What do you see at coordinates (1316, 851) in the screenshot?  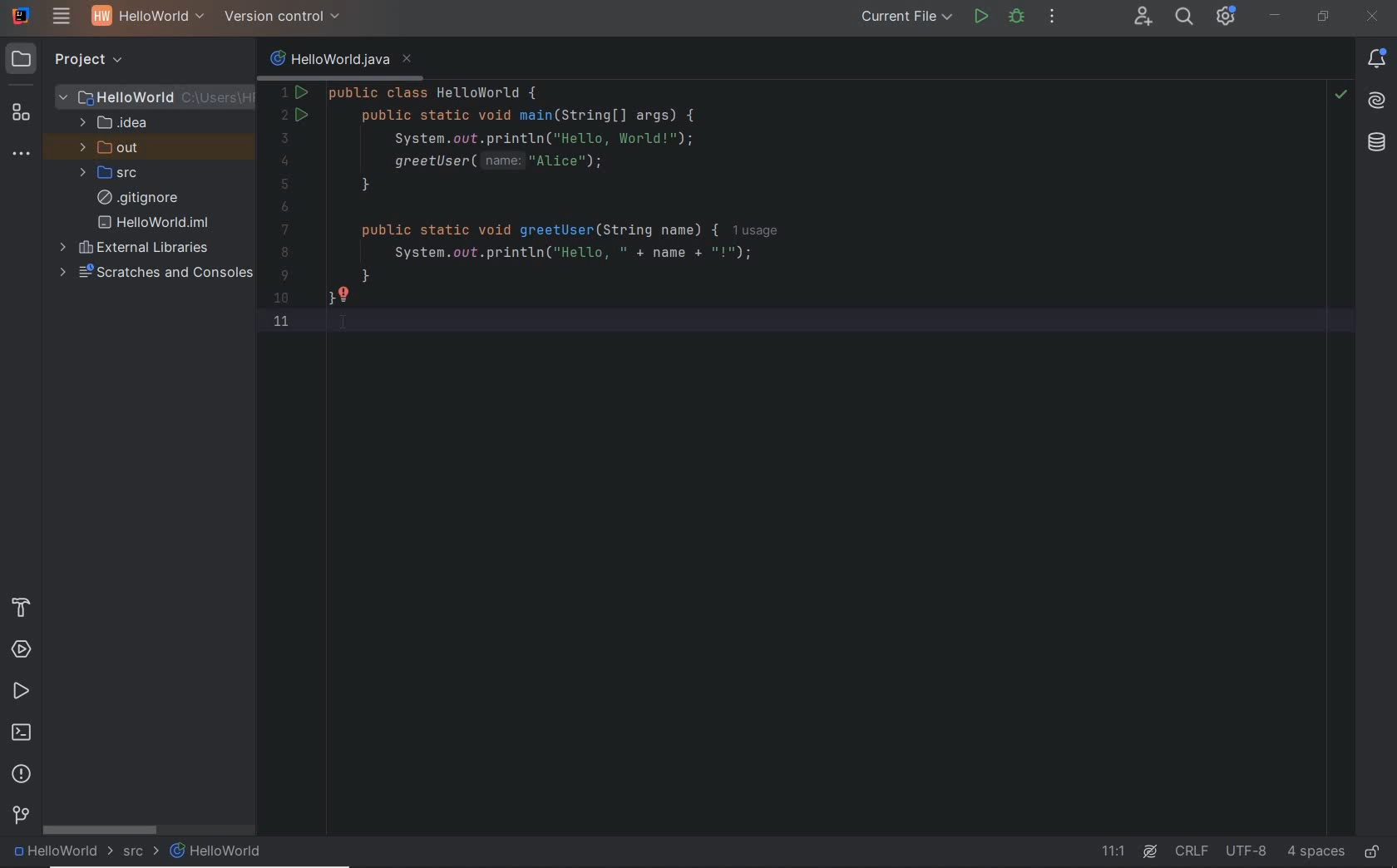 I see `4 spaces(indent)` at bounding box center [1316, 851].